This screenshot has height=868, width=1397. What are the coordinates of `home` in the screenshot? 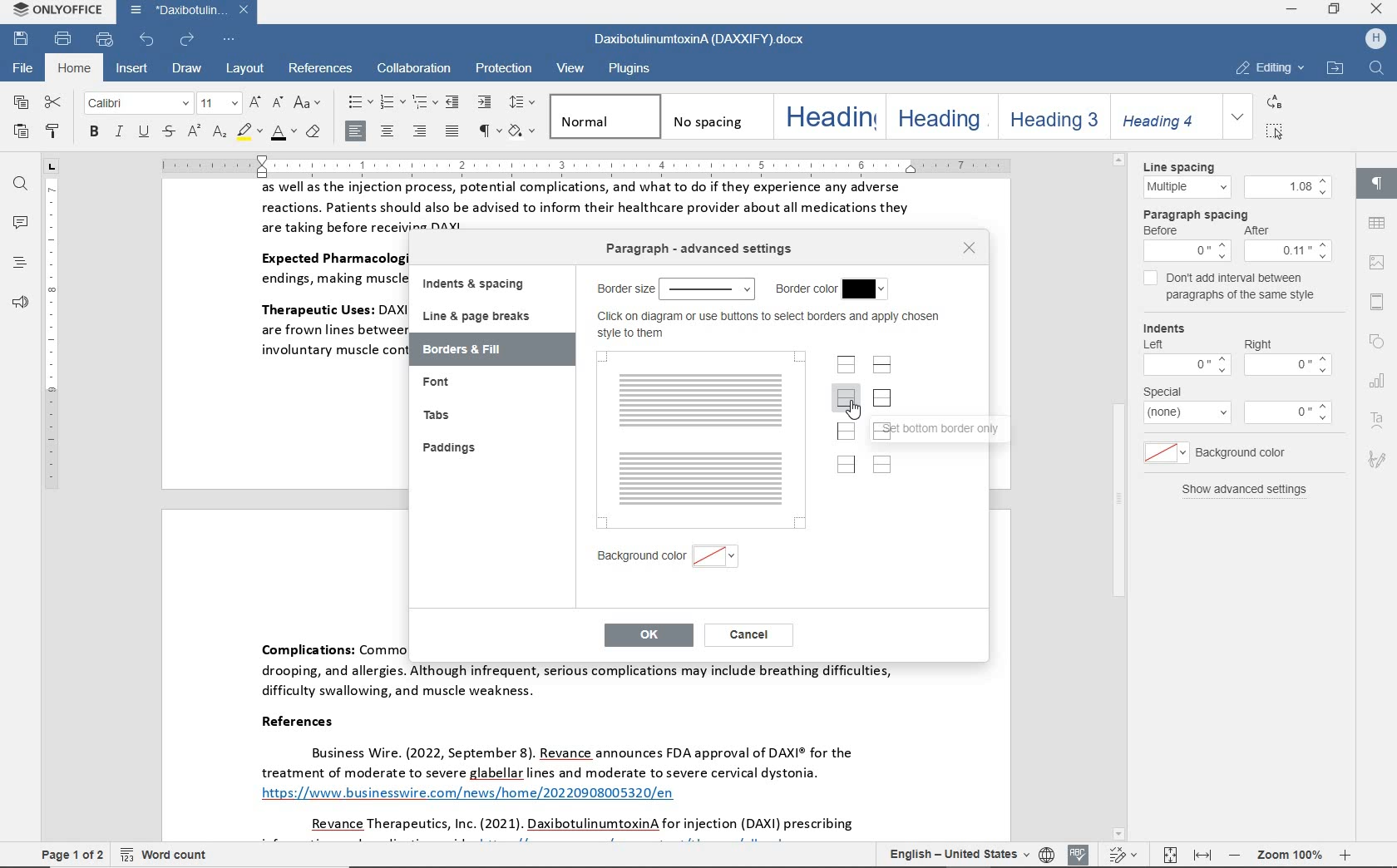 It's located at (76, 68).